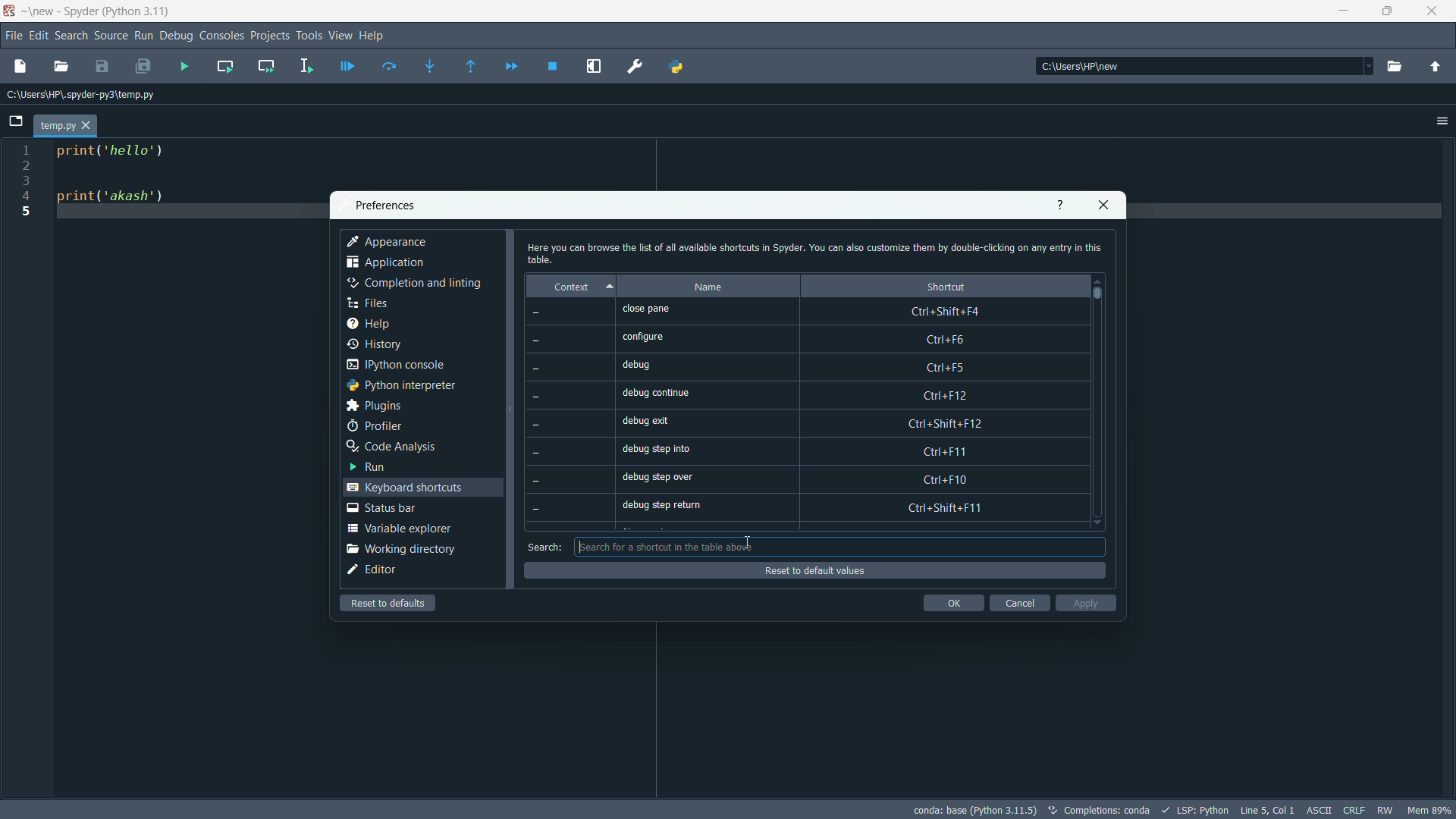 The height and width of the screenshot is (819, 1456). Describe the element at coordinates (371, 468) in the screenshot. I see `run` at that location.